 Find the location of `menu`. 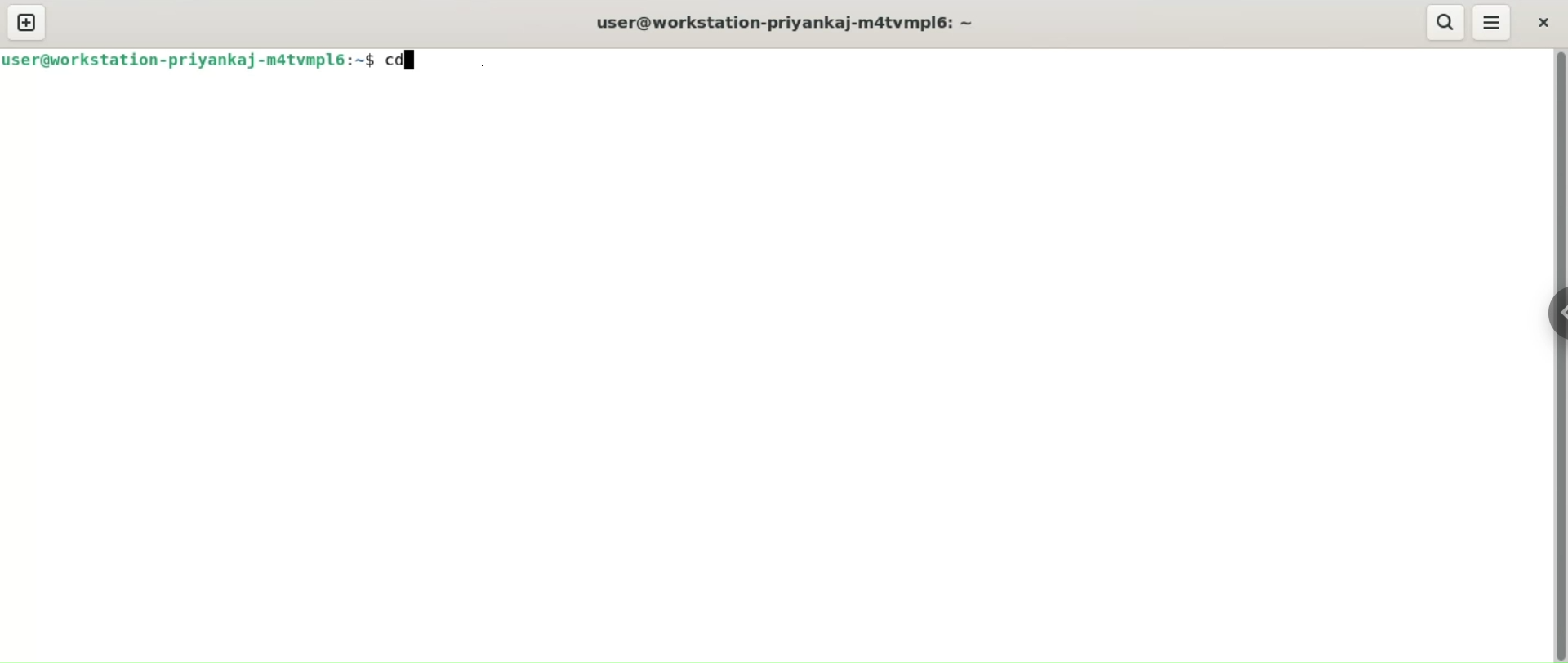

menu is located at coordinates (1492, 22).